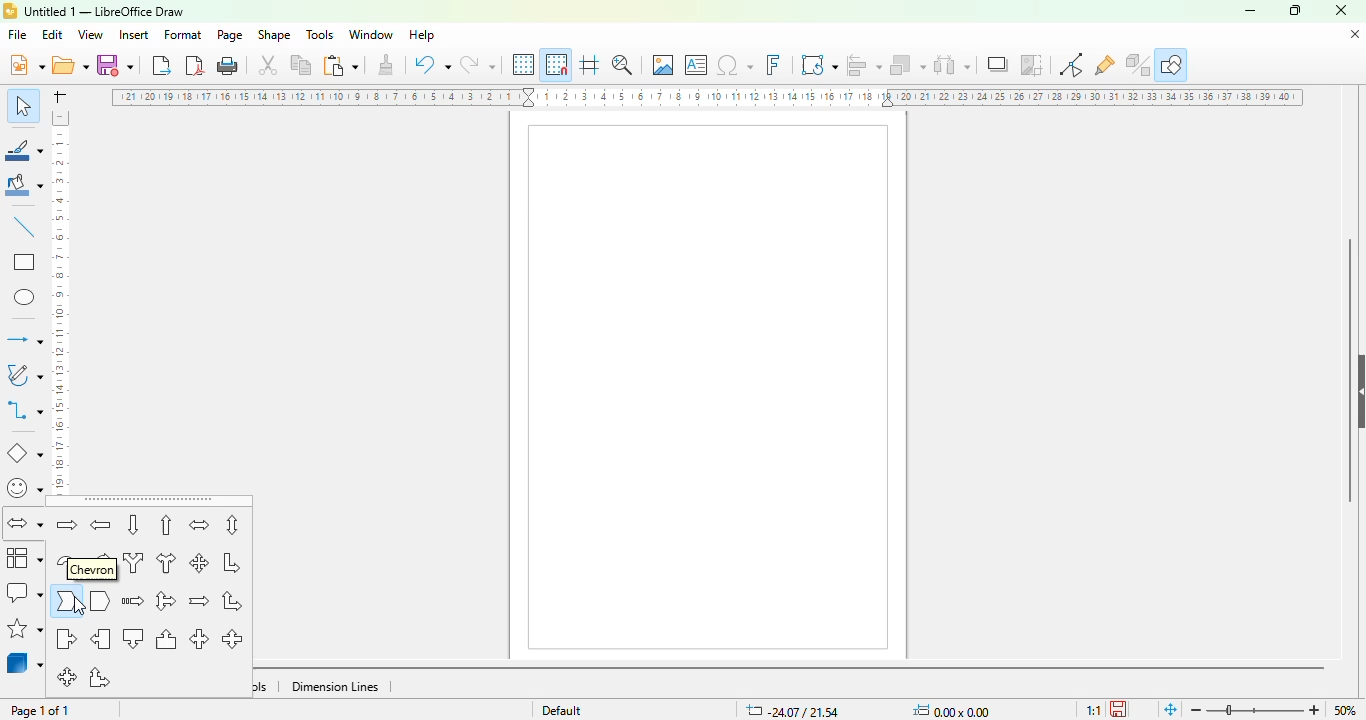 Image resolution: width=1366 pixels, height=720 pixels. I want to click on paste, so click(340, 65).